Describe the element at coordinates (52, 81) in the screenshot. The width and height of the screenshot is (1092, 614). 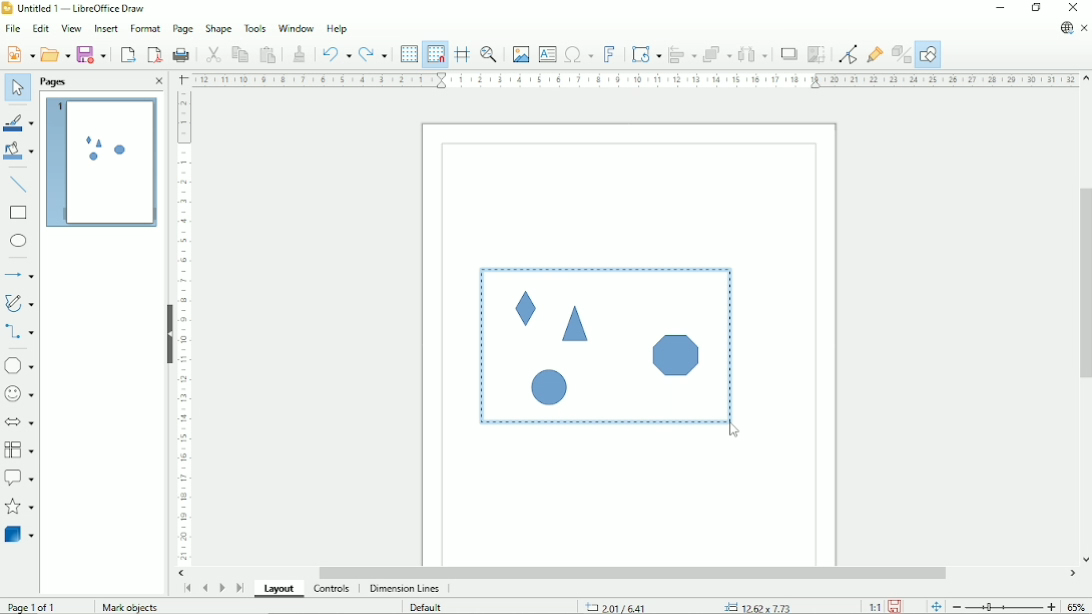
I see `Pages` at that location.